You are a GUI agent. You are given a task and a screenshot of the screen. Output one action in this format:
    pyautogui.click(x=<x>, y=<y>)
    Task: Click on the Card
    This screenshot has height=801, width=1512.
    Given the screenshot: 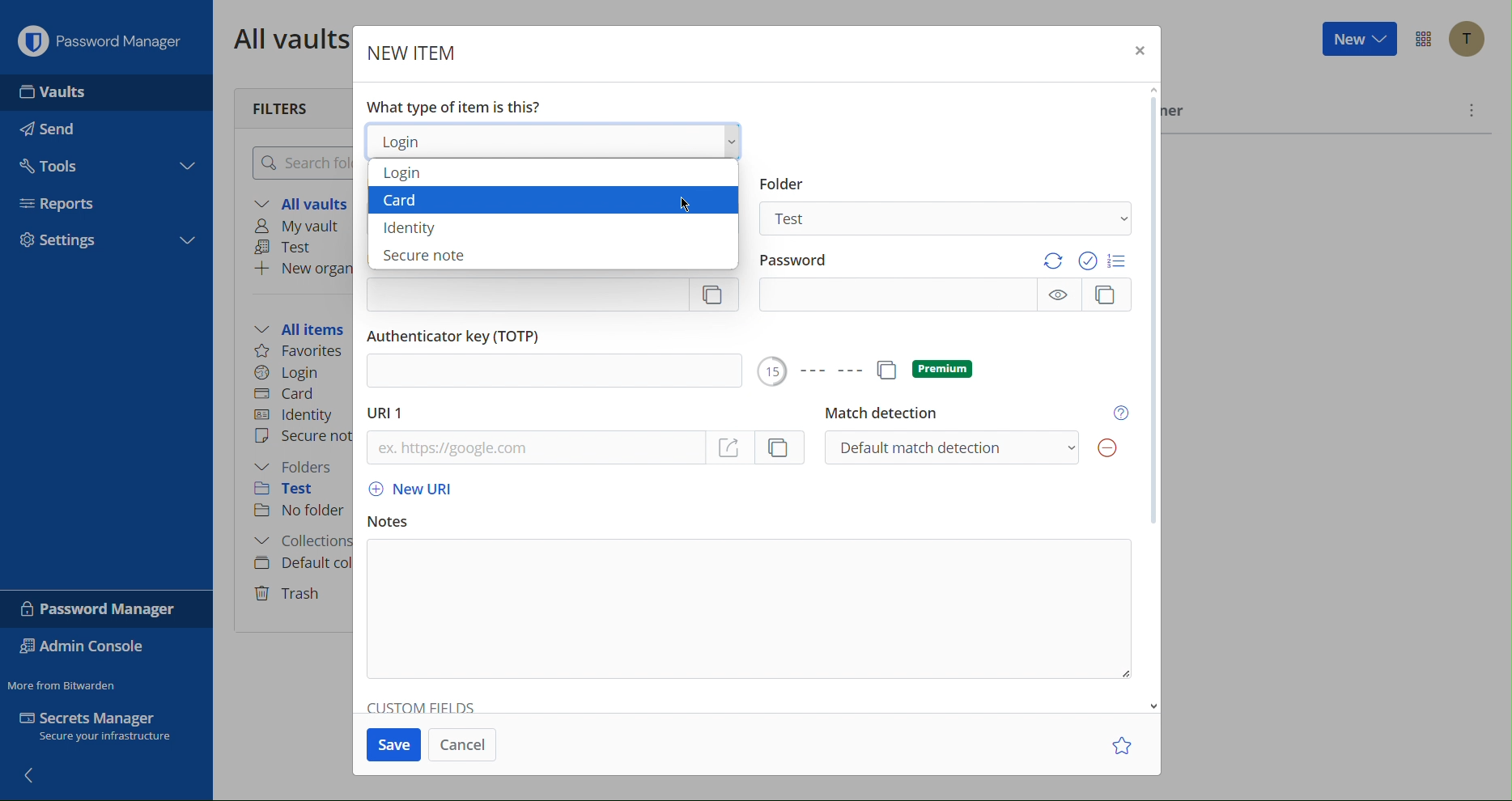 What is the action you would take?
    pyautogui.click(x=397, y=200)
    